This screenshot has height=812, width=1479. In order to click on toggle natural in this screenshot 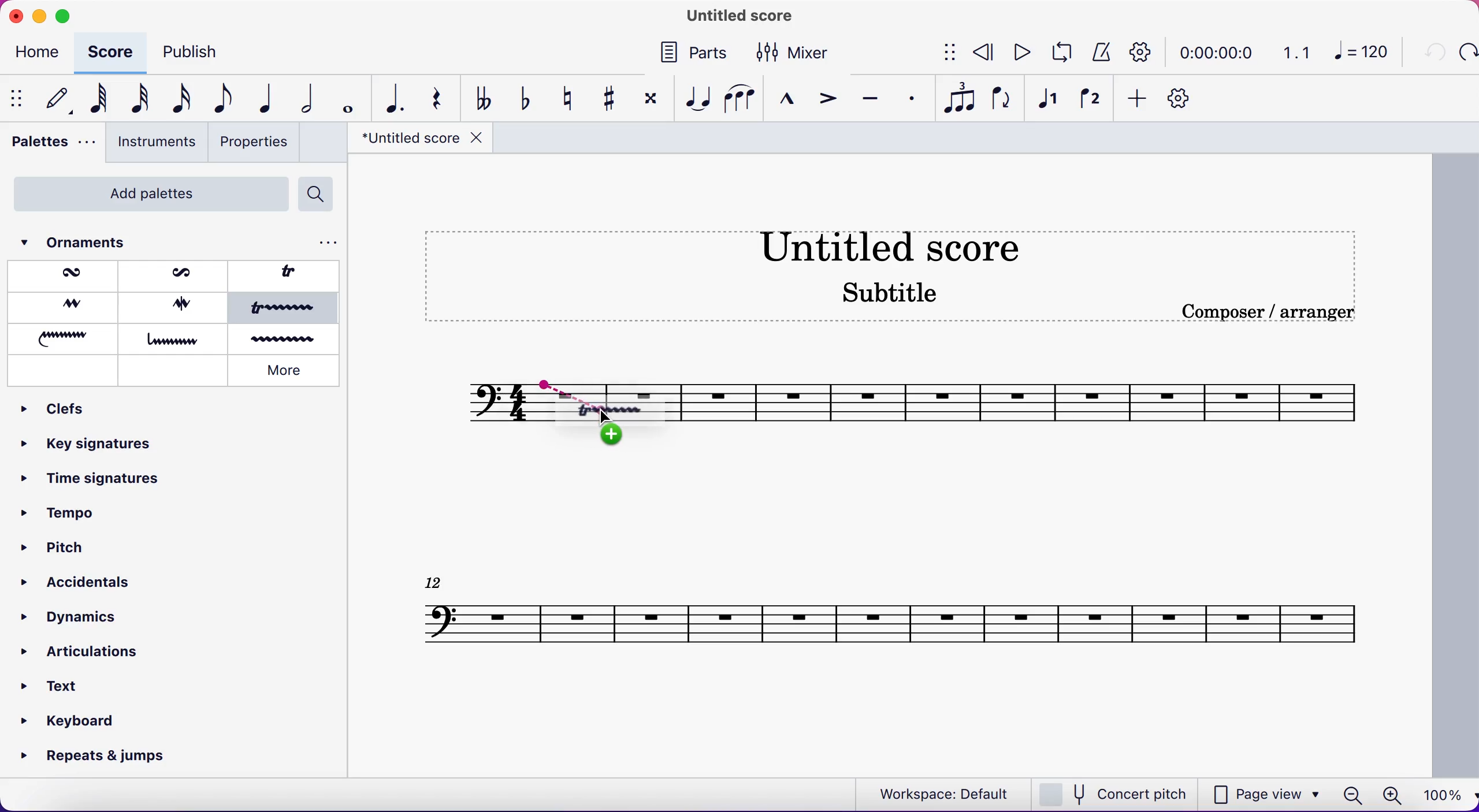, I will do `click(567, 97)`.